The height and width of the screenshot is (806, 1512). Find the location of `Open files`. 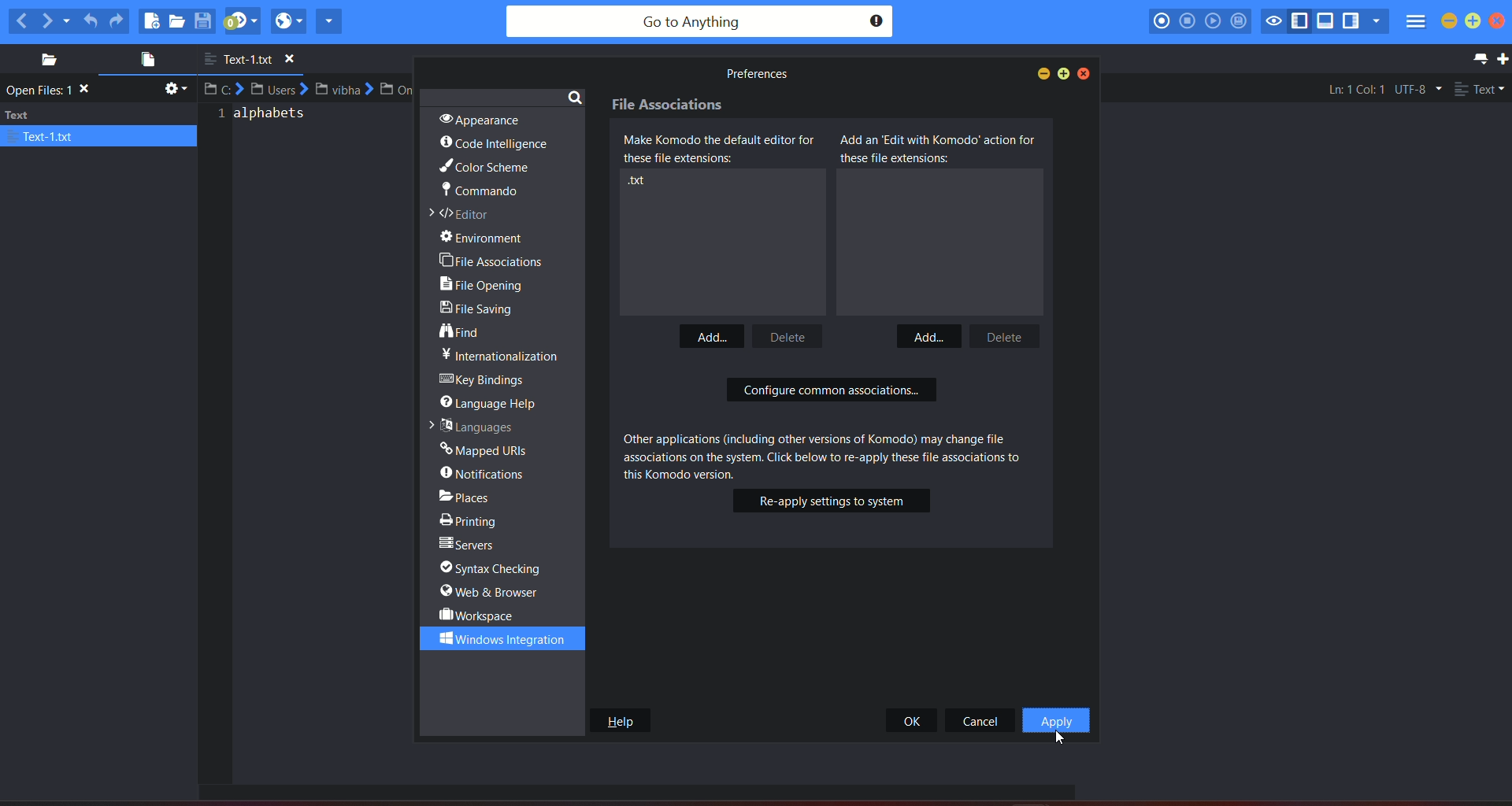

Open files is located at coordinates (52, 91).